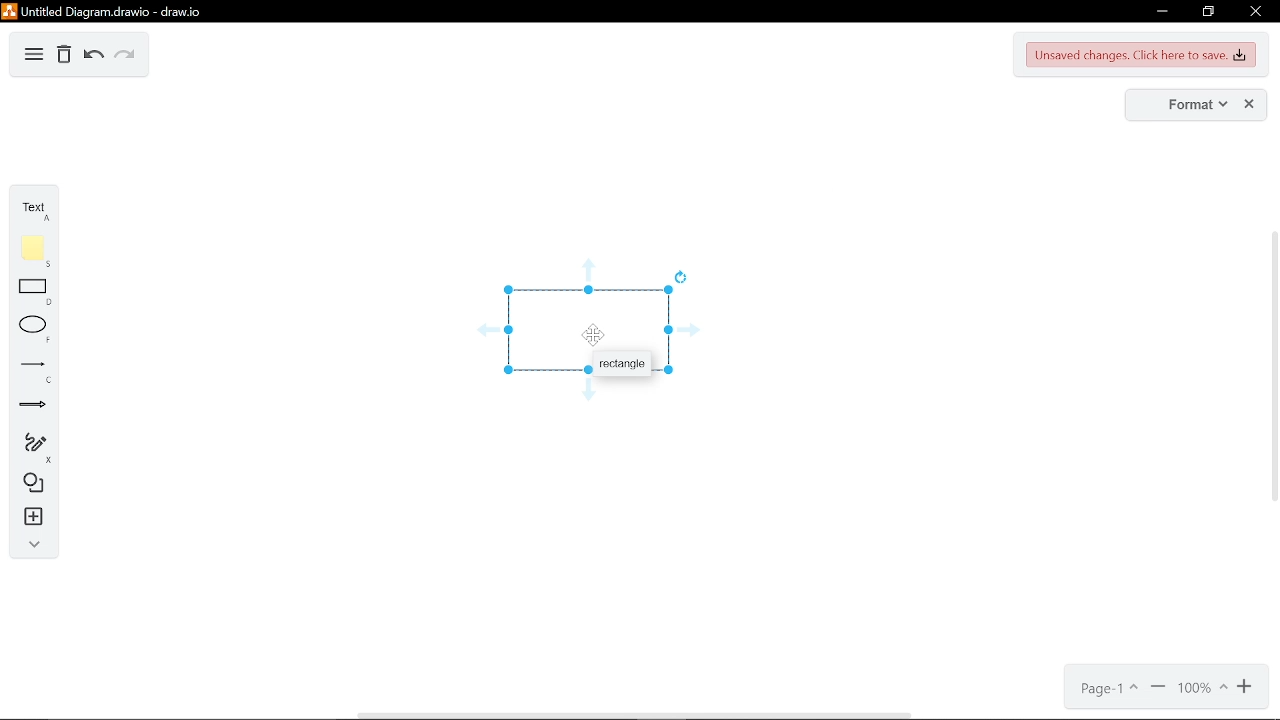 The height and width of the screenshot is (720, 1280). What do you see at coordinates (94, 57) in the screenshot?
I see `undo` at bounding box center [94, 57].